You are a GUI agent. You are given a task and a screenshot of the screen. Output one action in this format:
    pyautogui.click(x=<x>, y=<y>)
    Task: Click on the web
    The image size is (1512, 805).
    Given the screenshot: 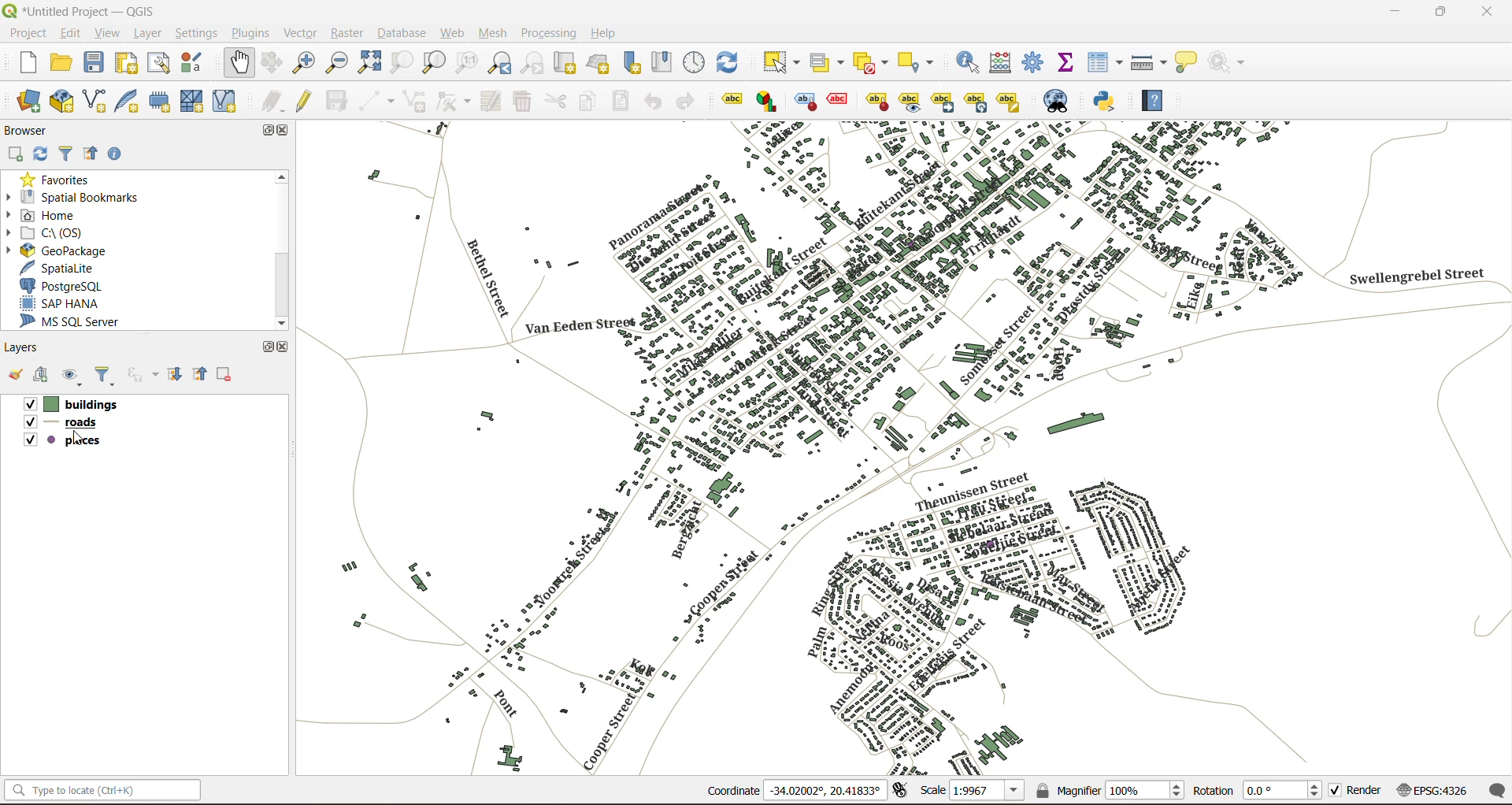 What is the action you would take?
    pyautogui.click(x=450, y=35)
    